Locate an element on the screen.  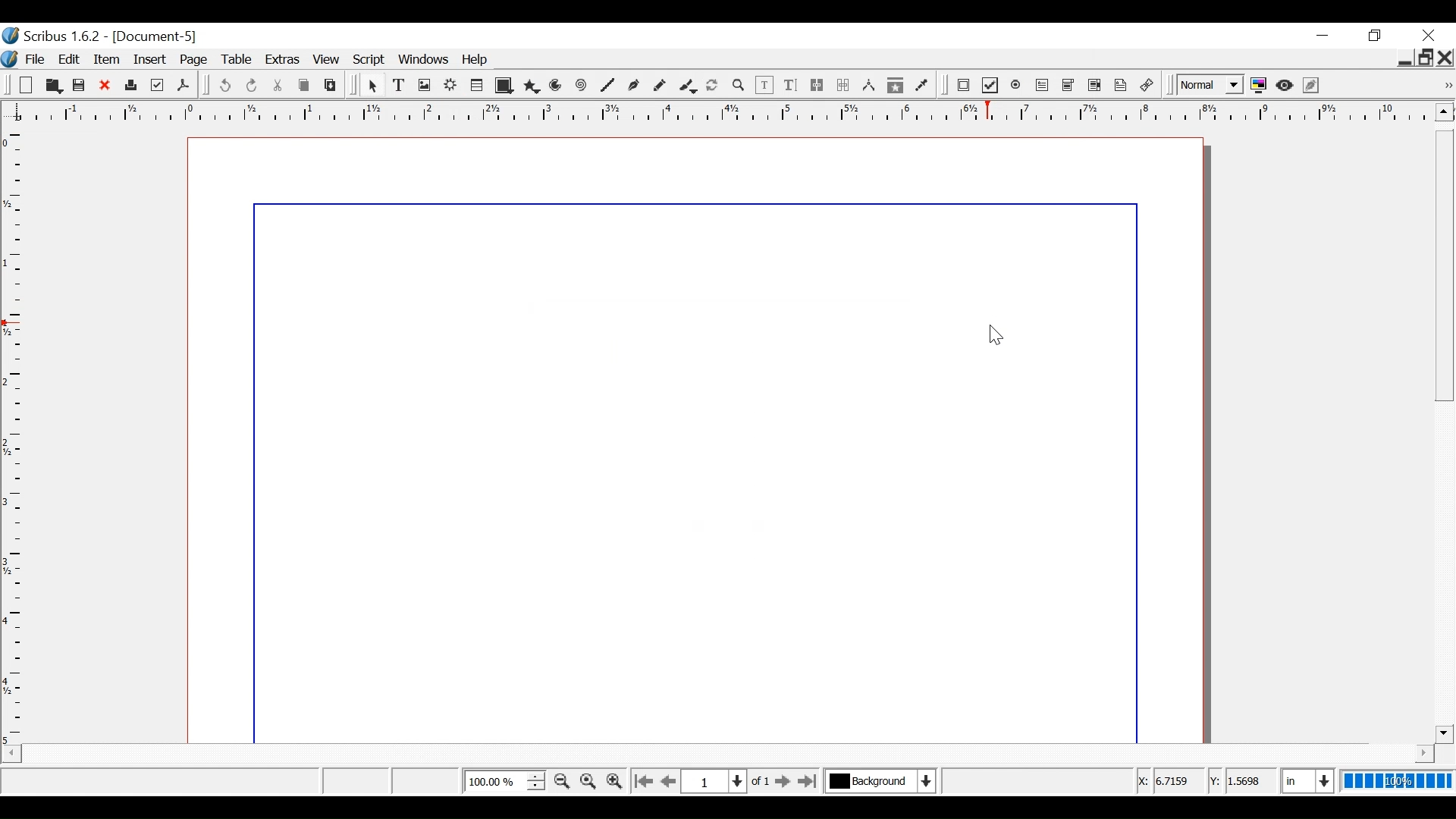
Restore is located at coordinates (1425, 58).